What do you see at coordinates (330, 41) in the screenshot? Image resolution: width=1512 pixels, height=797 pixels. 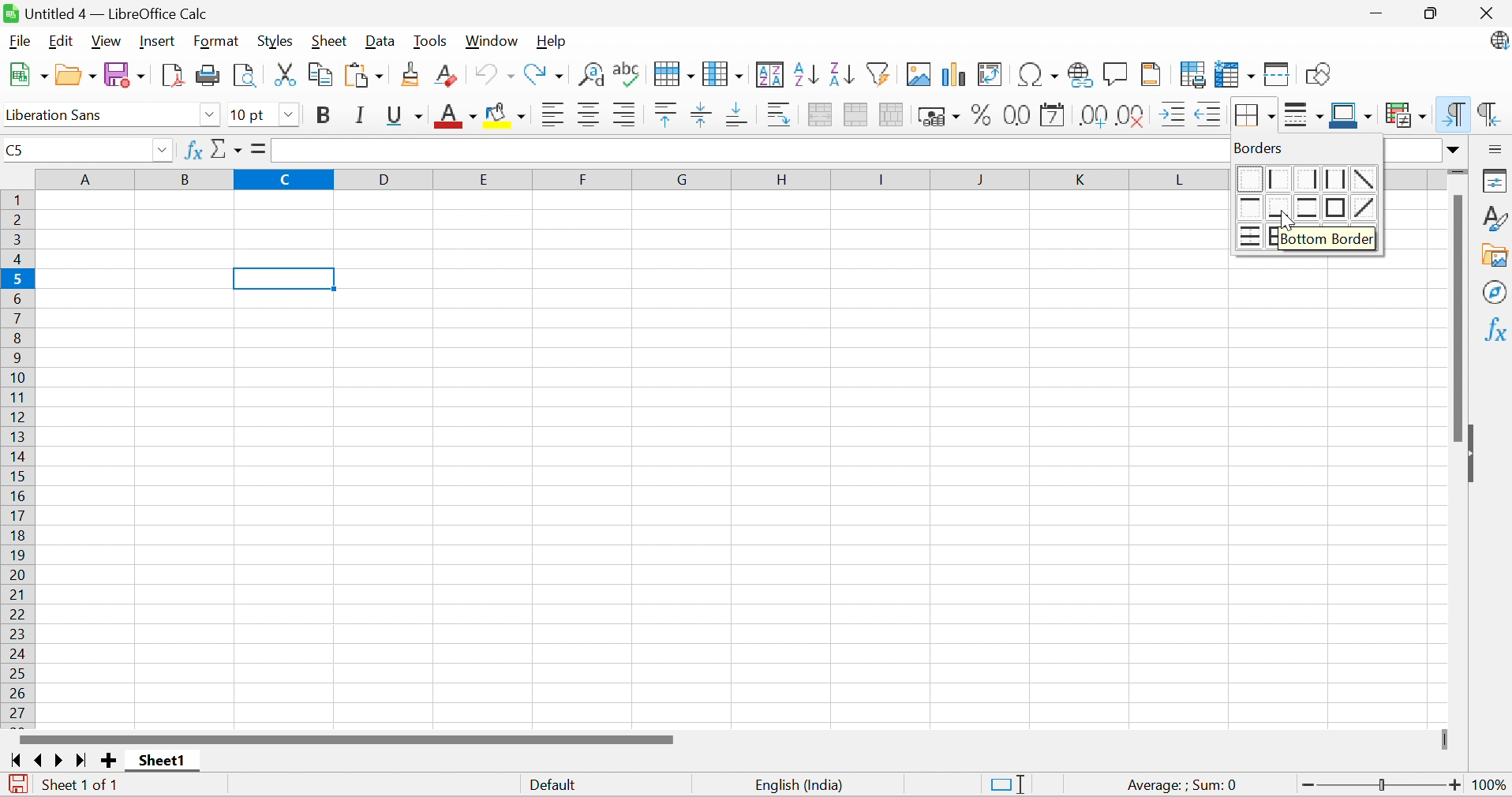 I see `Sheet` at bounding box center [330, 41].